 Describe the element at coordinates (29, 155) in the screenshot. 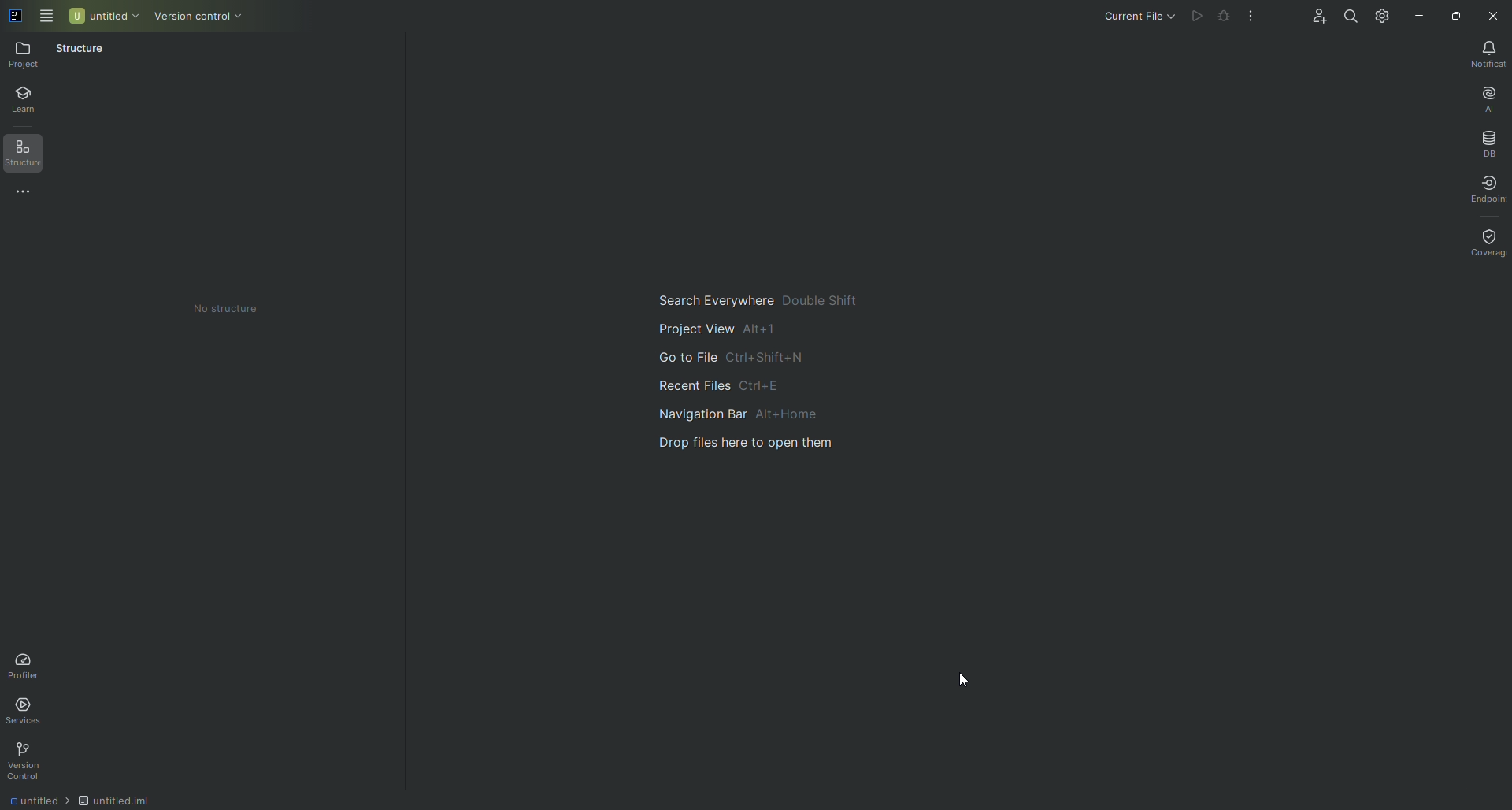

I see `Structure` at that location.